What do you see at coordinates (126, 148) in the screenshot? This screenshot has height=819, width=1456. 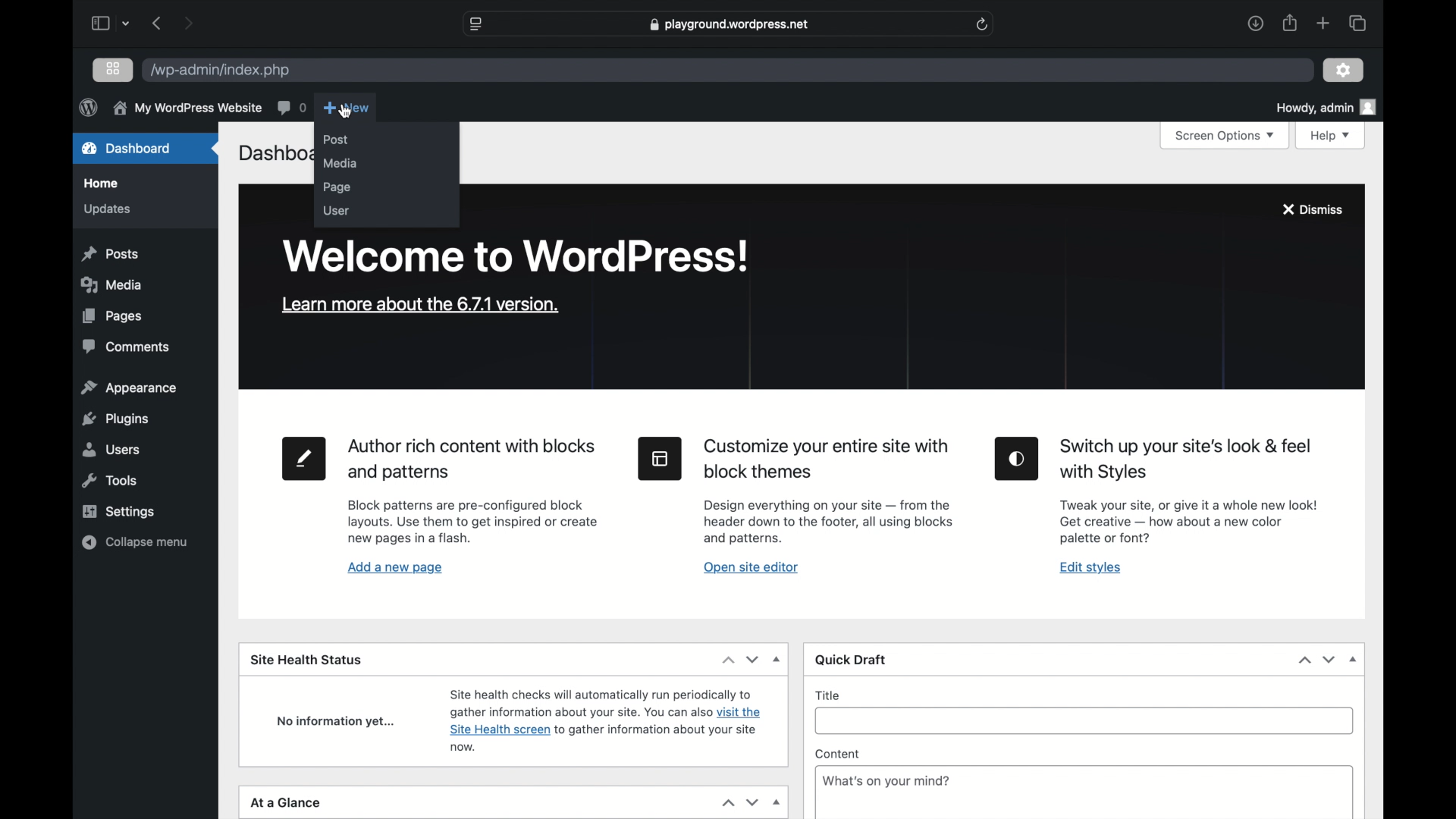 I see `dashboard` at bounding box center [126, 148].